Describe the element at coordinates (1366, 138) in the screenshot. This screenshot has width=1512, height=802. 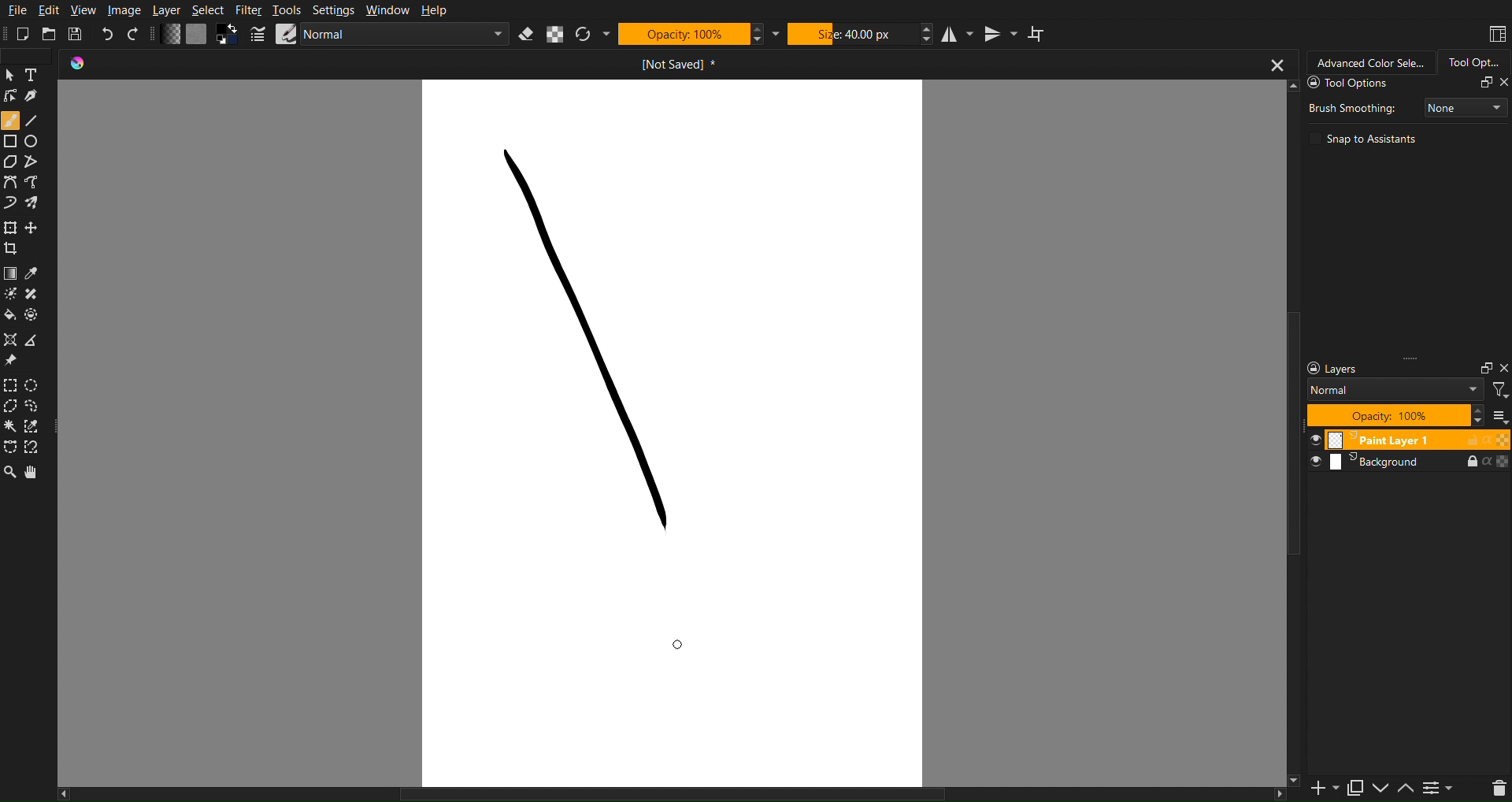
I see `Snap to Assistants` at that location.